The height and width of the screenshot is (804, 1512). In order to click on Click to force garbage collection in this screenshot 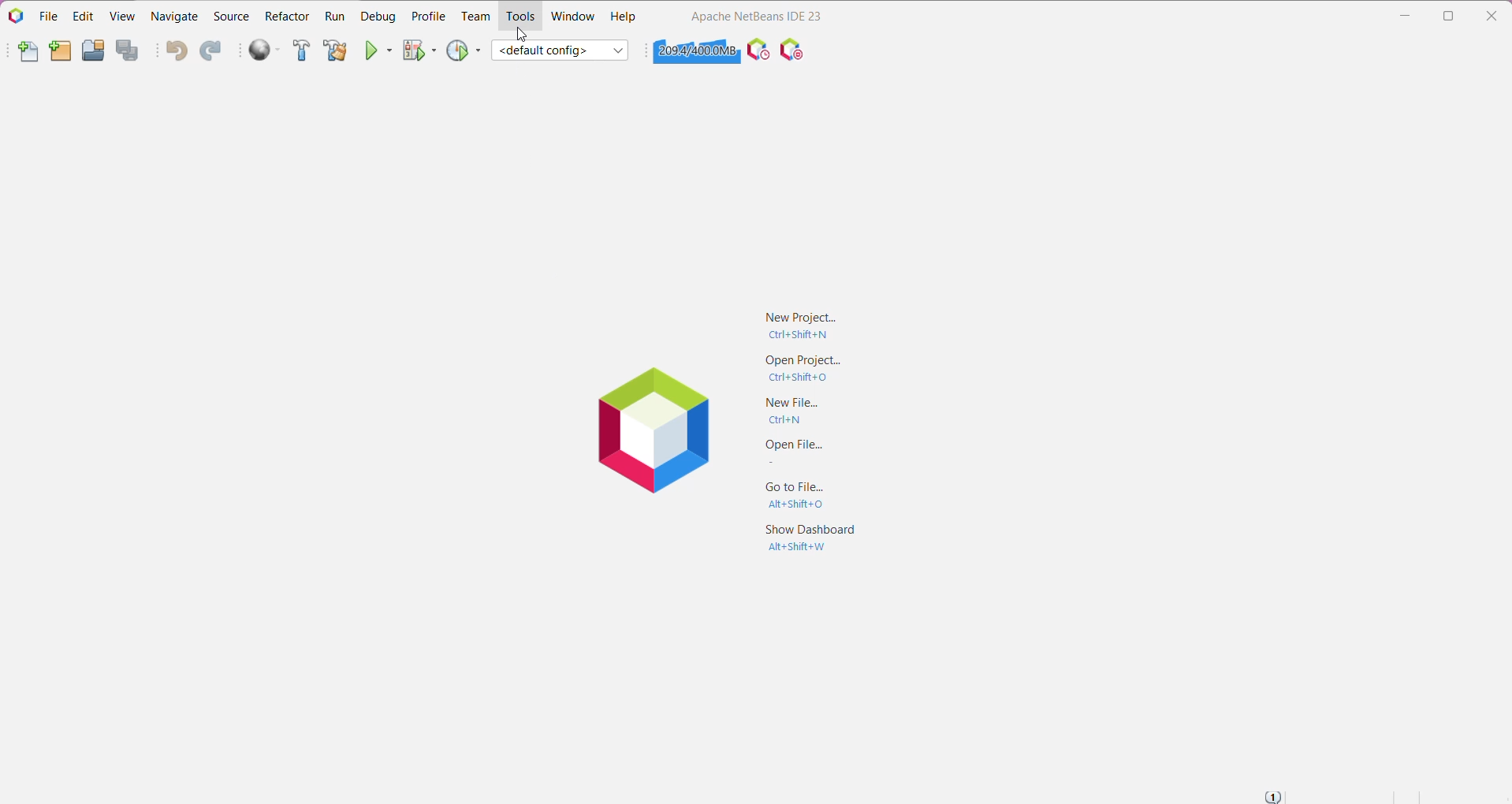, I will do `click(695, 50)`.